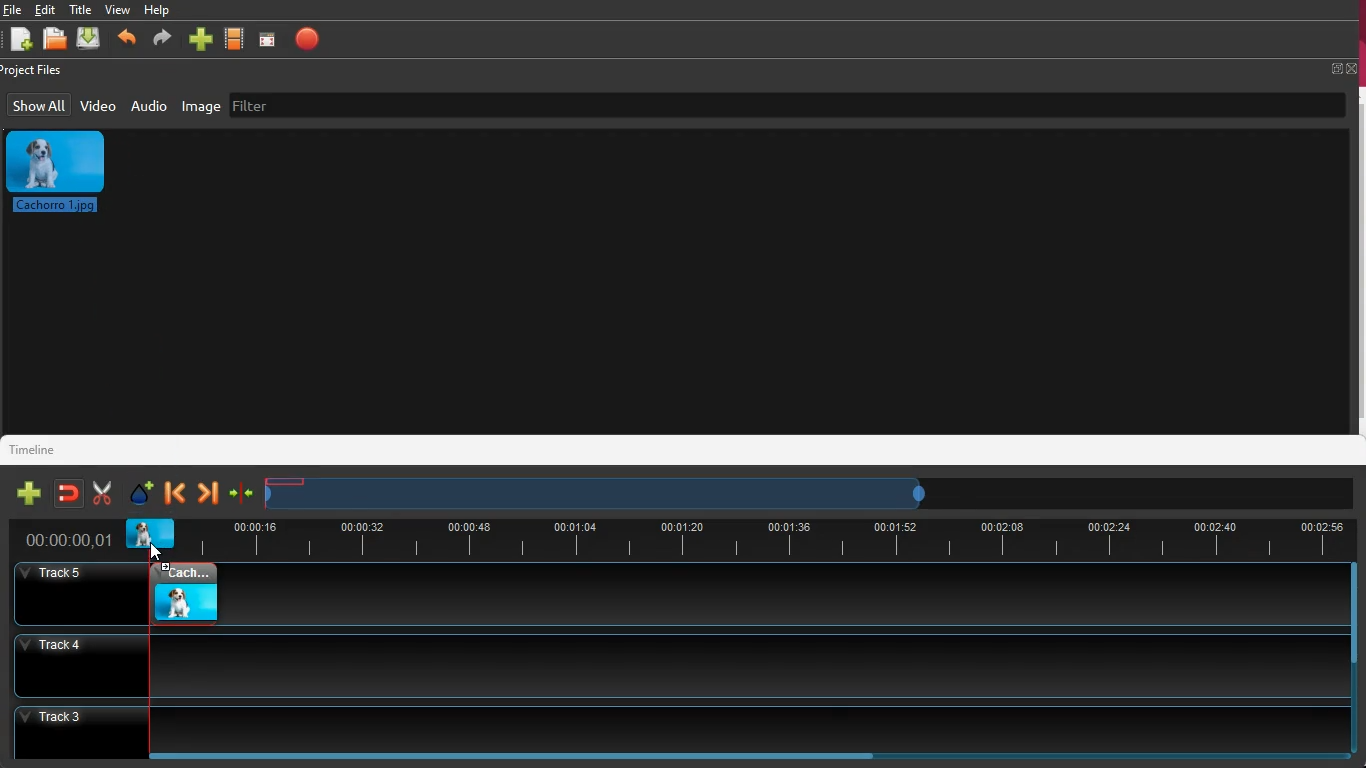 The image size is (1366, 768). What do you see at coordinates (61, 594) in the screenshot?
I see `` at bounding box center [61, 594].